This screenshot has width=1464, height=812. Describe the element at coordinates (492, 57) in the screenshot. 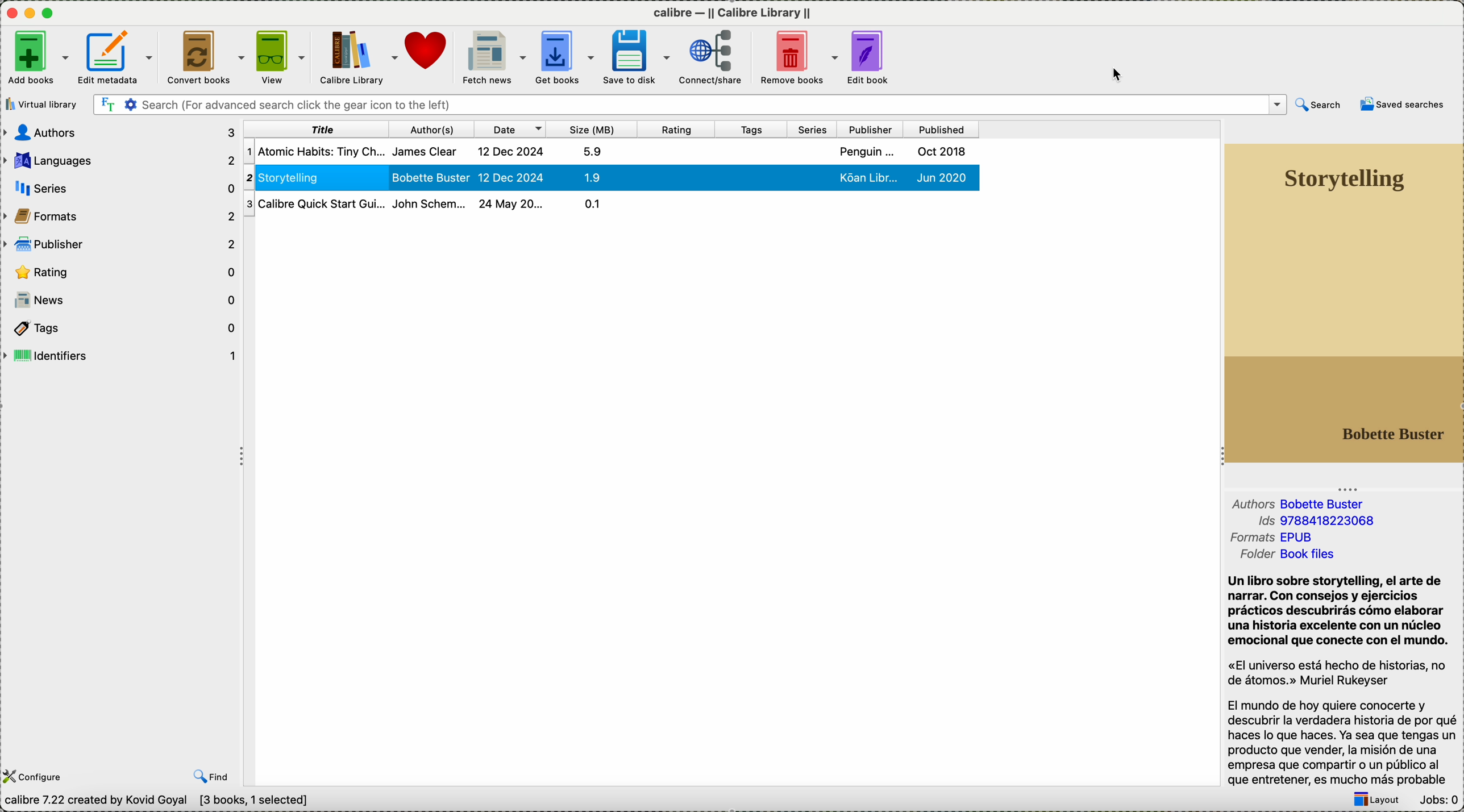

I see `fetch news` at that location.